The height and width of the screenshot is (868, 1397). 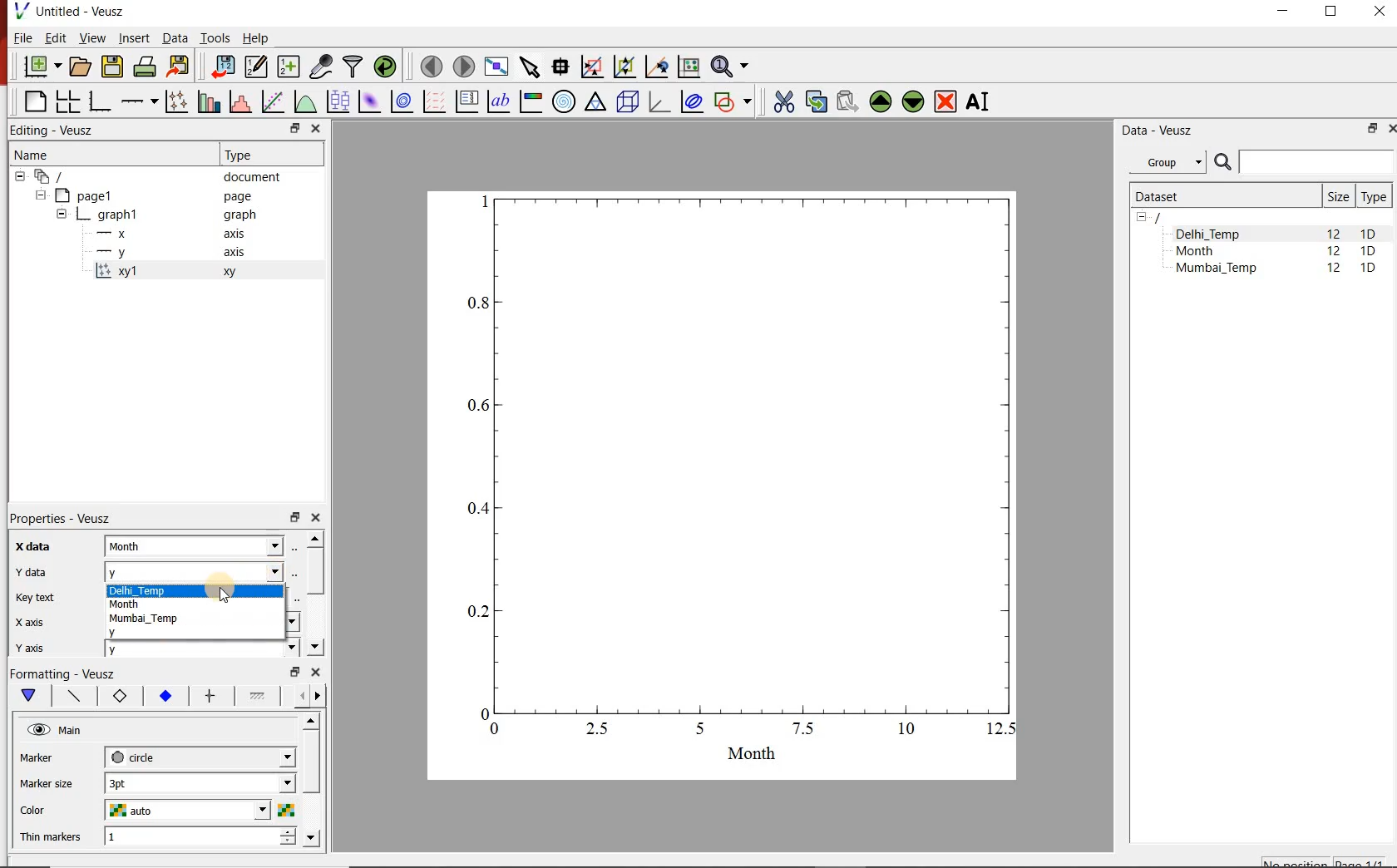 What do you see at coordinates (315, 672) in the screenshot?
I see `close` at bounding box center [315, 672].